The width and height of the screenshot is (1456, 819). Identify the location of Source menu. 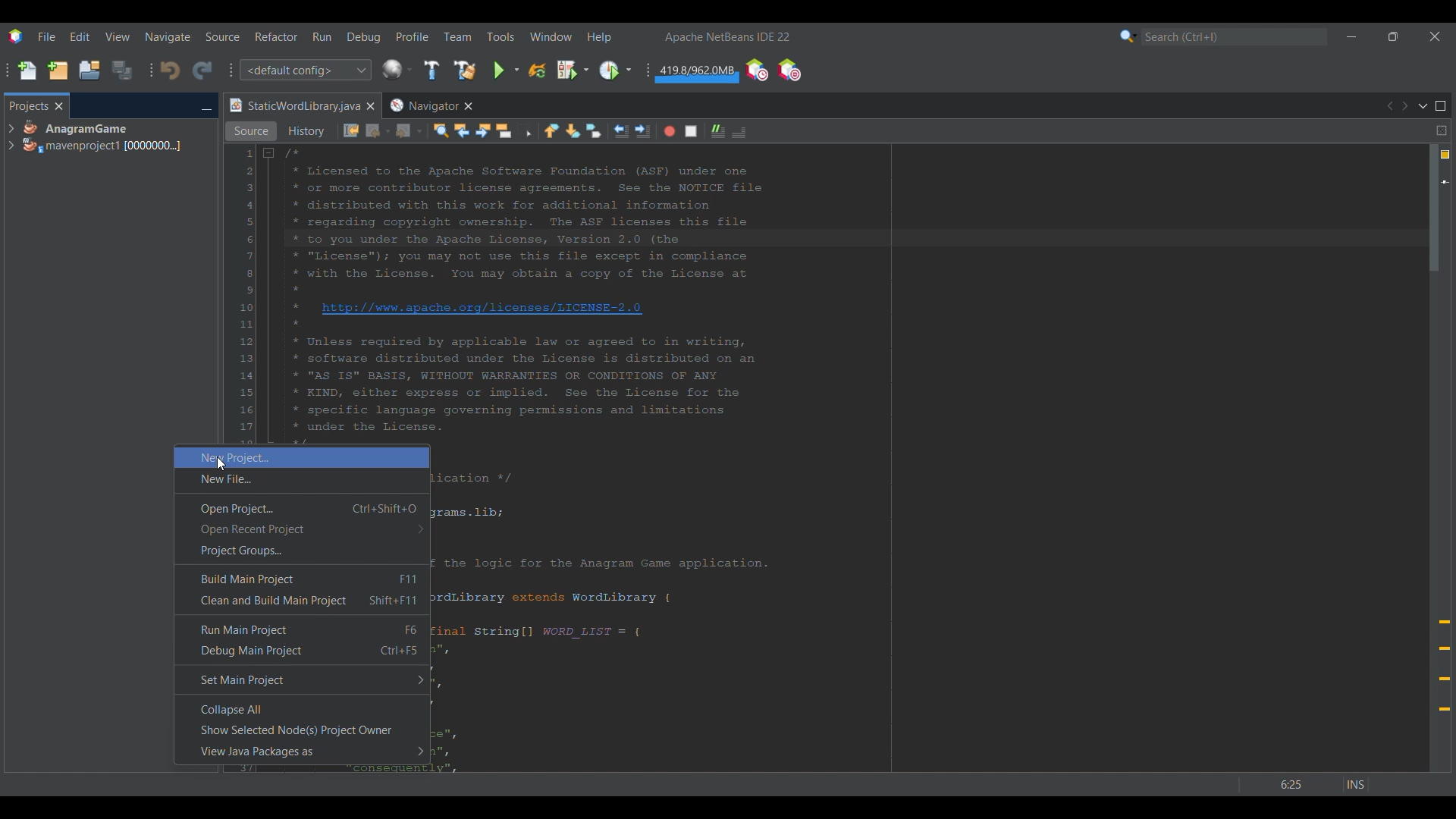
(223, 36).